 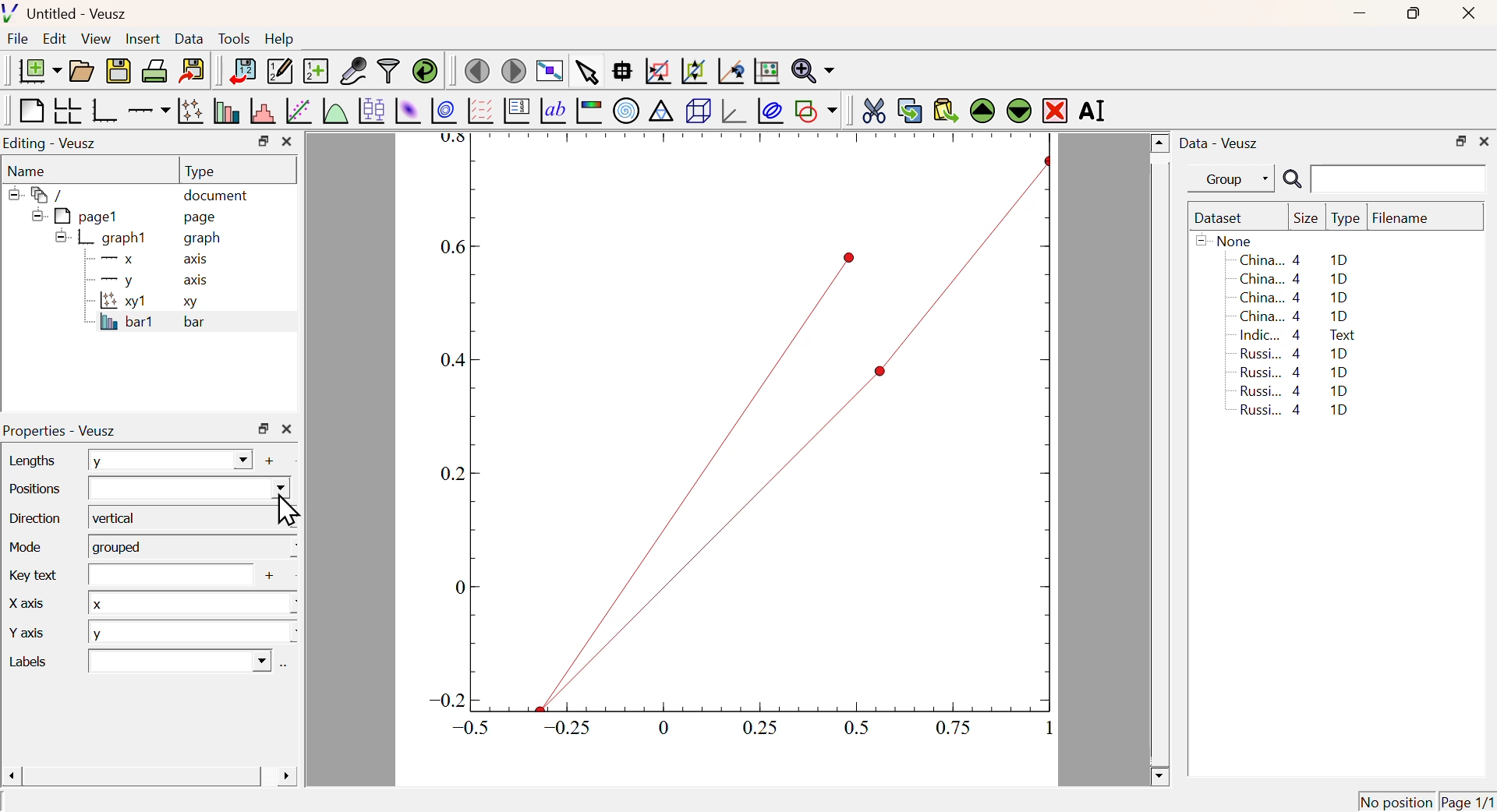 I want to click on Type, so click(x=1346, y=219).